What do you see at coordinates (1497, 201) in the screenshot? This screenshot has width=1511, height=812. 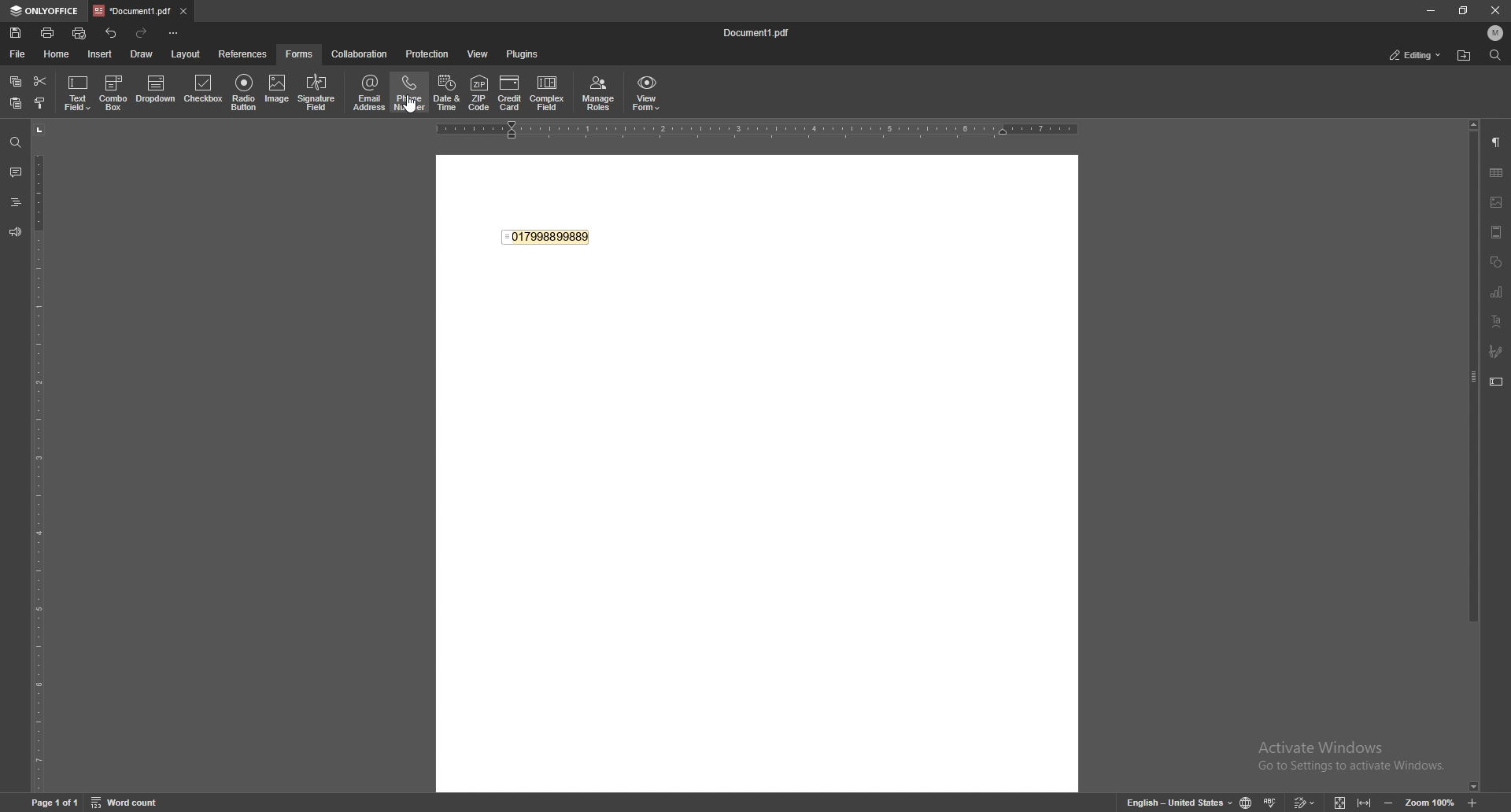 I see `image` at bounding box center [1497, 201].